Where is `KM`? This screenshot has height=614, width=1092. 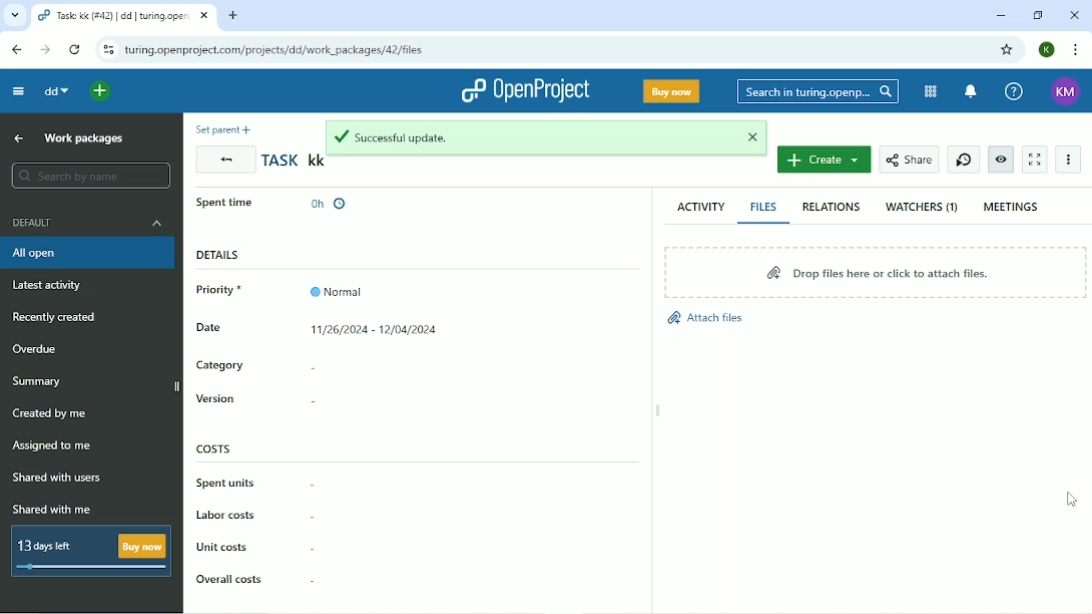 KM is located at coordinates (1065, 92).